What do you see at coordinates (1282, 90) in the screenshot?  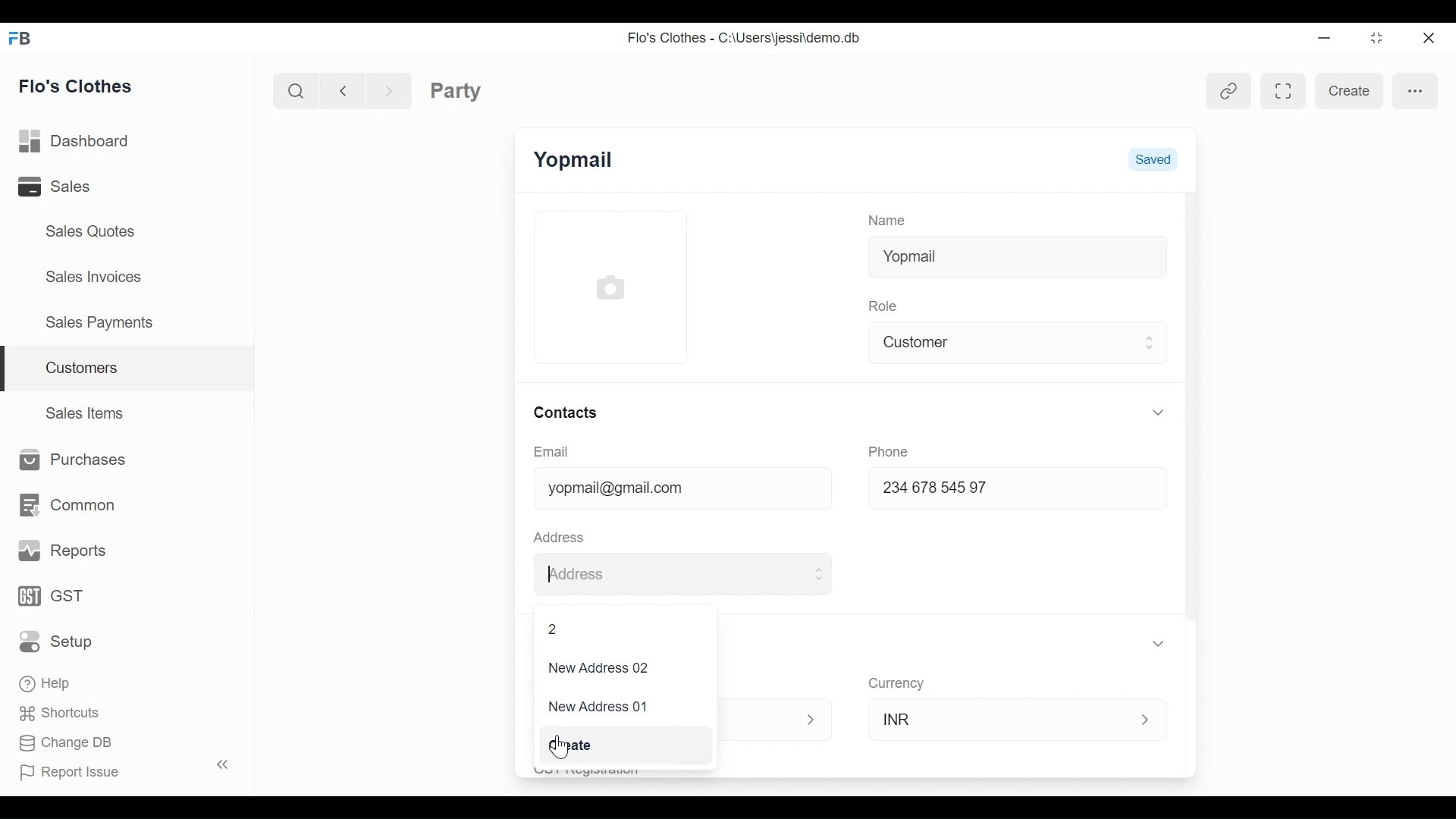 I see `Toggle between form and full width view` at bounding box center [1282, 90].